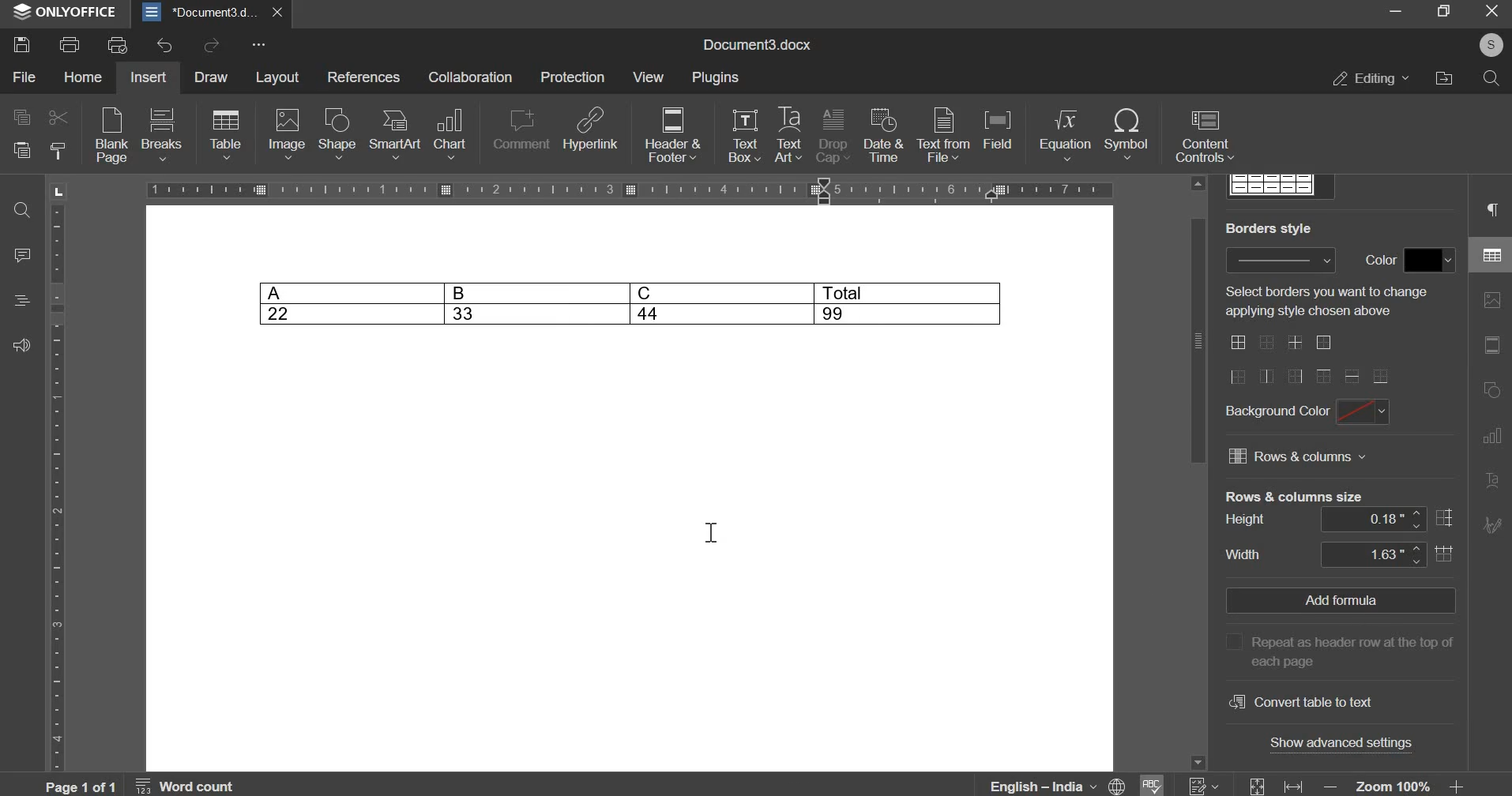 The width and height of the screenshot is (1512, 796). I want to click on editing, so click(1373, 78).